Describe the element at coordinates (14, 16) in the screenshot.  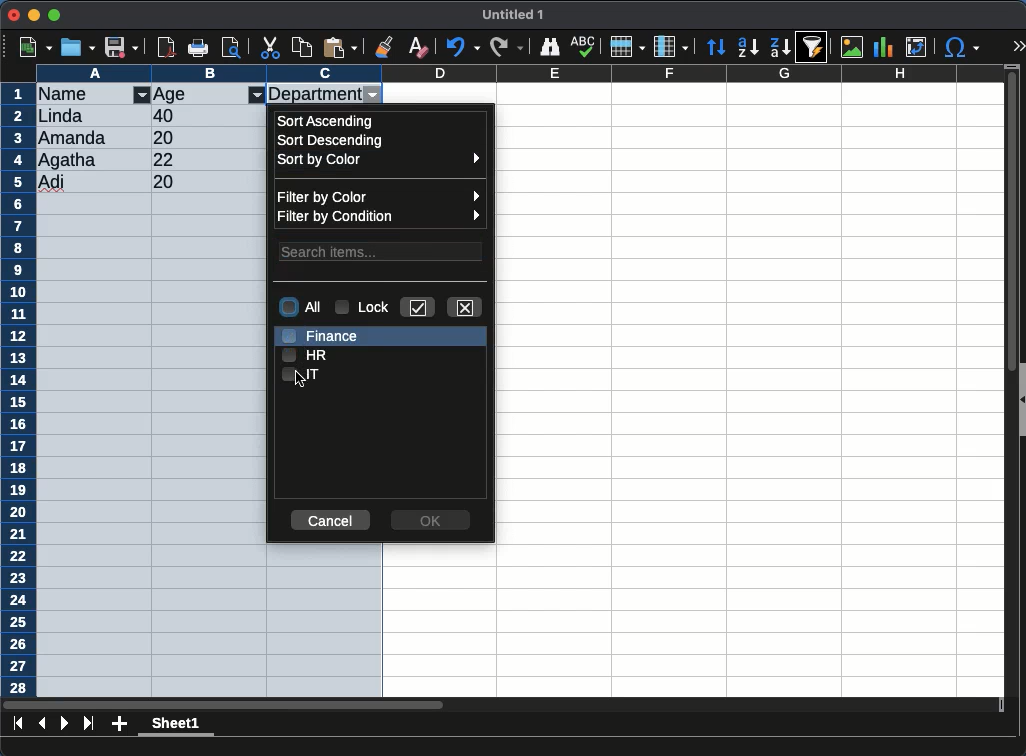
I see `close` at that location.